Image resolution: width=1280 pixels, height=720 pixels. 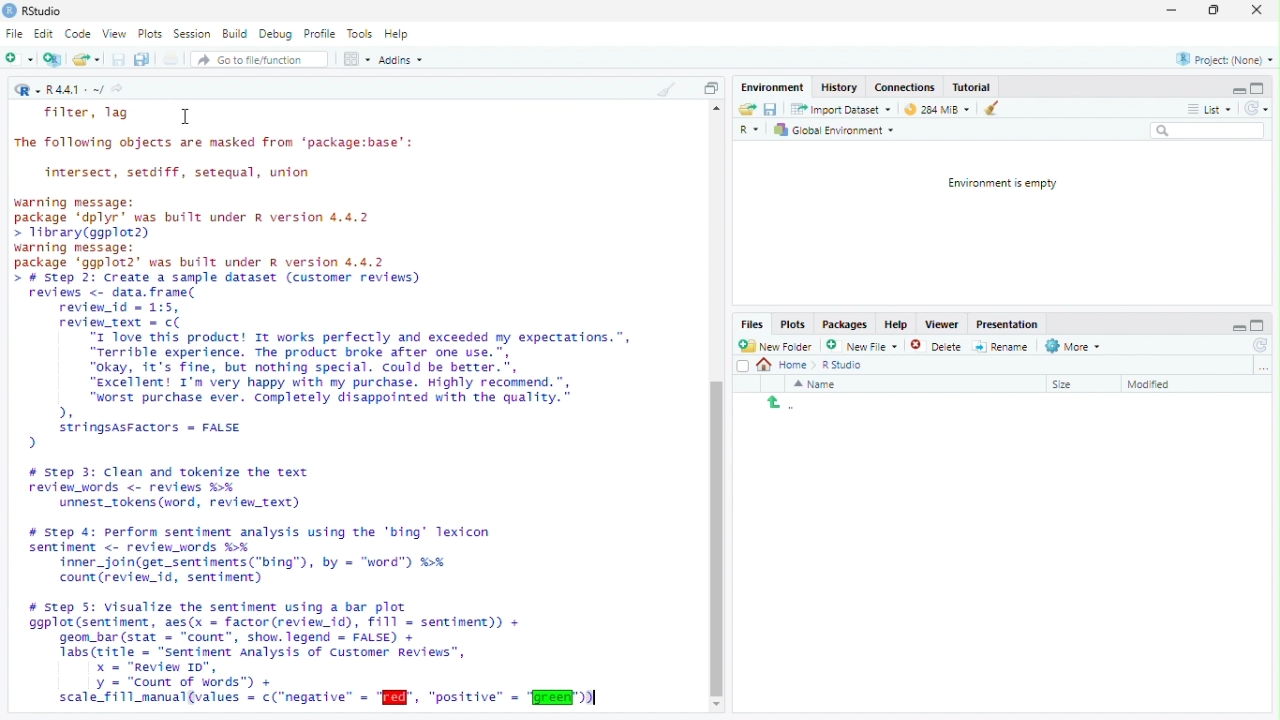 I want to click on Session, so click(x=192, y=33).